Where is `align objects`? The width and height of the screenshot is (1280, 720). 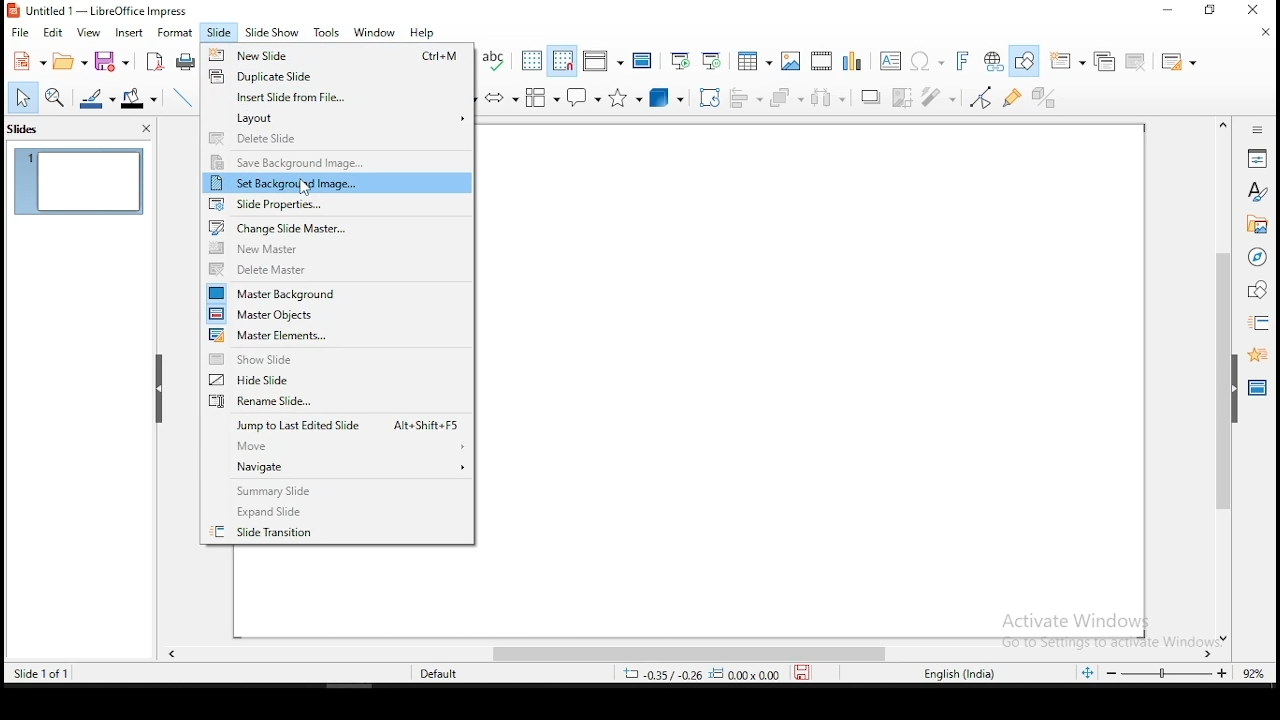
align objects is located at coordinates (747, 100).